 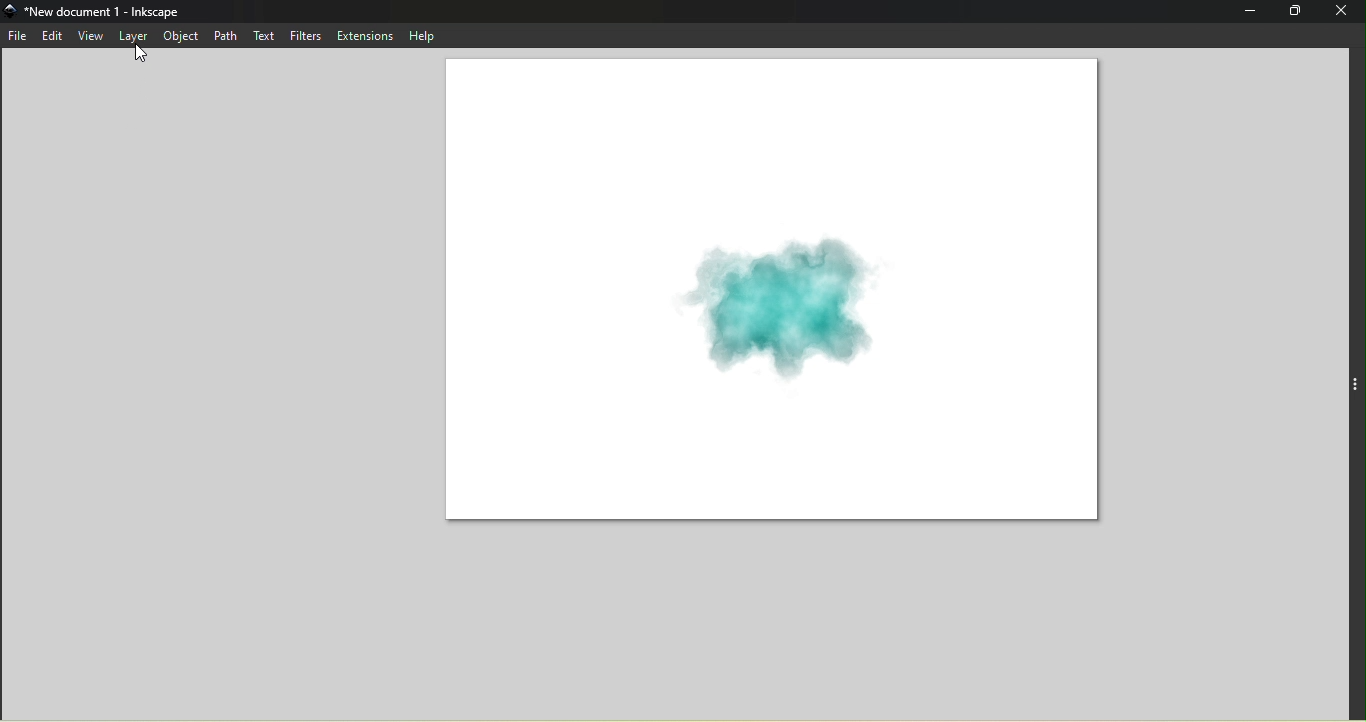 I want to click on Extensions, so click(x=364, y=35).